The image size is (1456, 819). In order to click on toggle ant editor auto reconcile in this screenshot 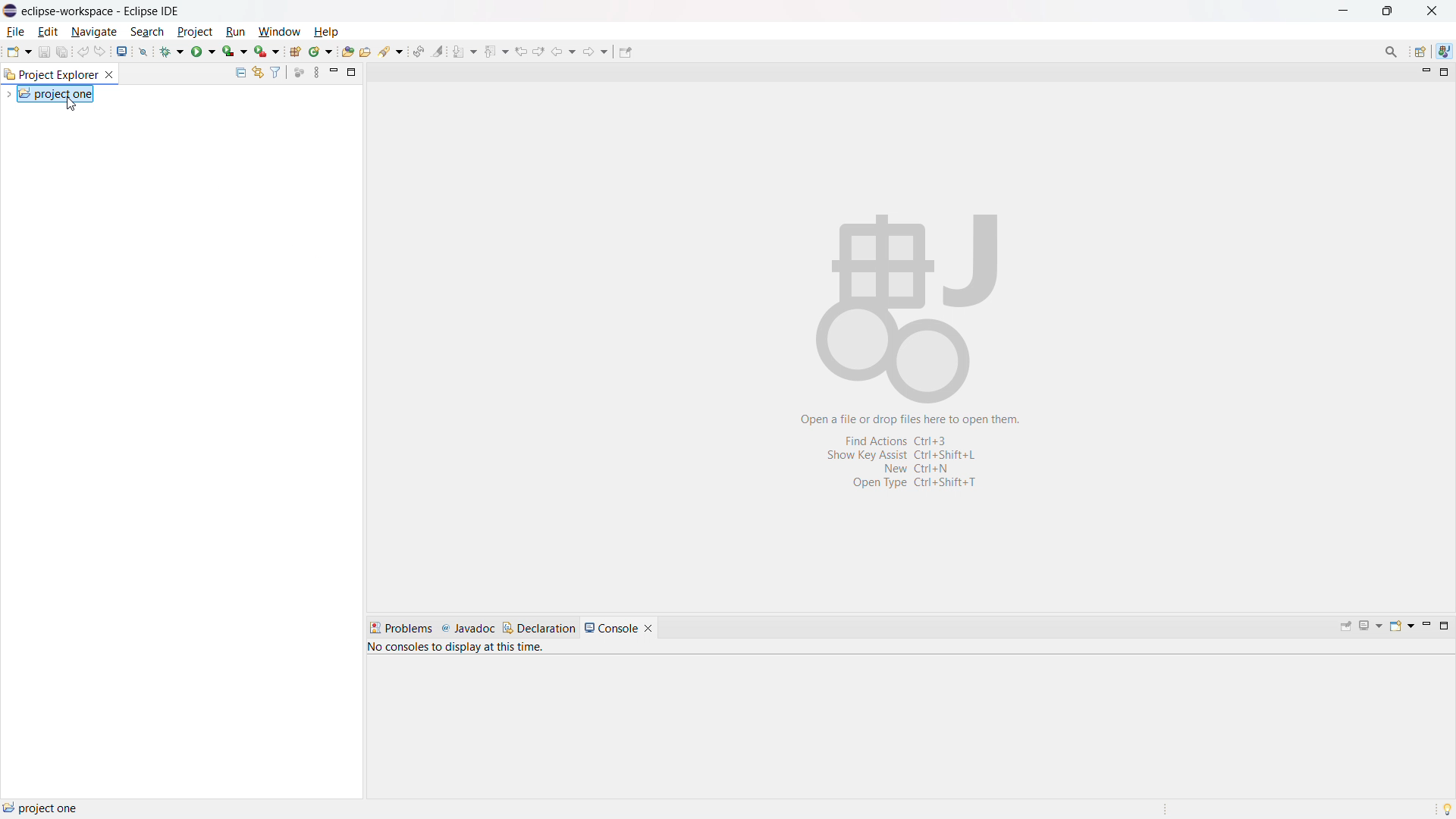, I will do `click(418, 51)`.